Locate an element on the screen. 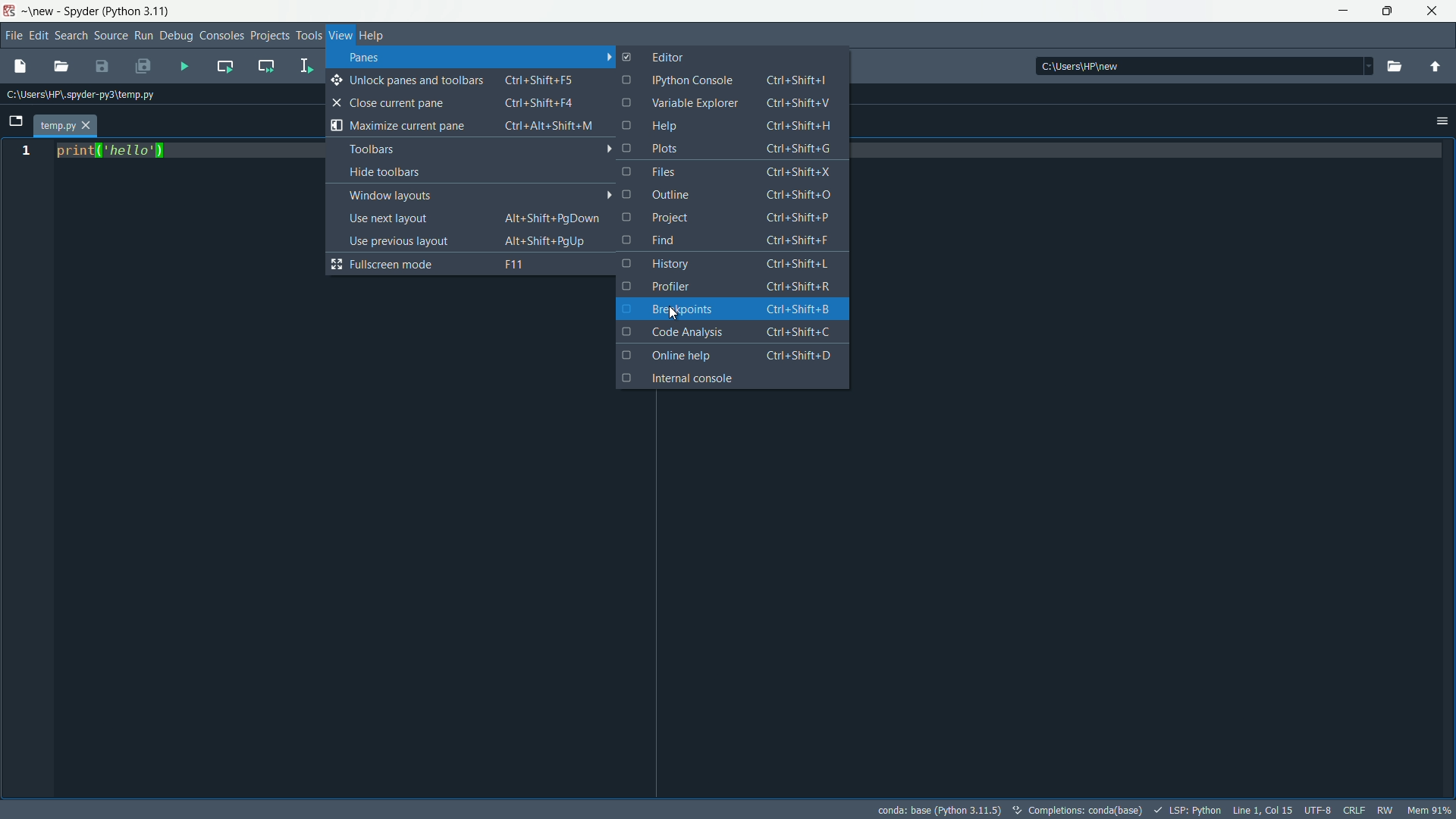  LSP:Python is located at coordinates (1189, 811).